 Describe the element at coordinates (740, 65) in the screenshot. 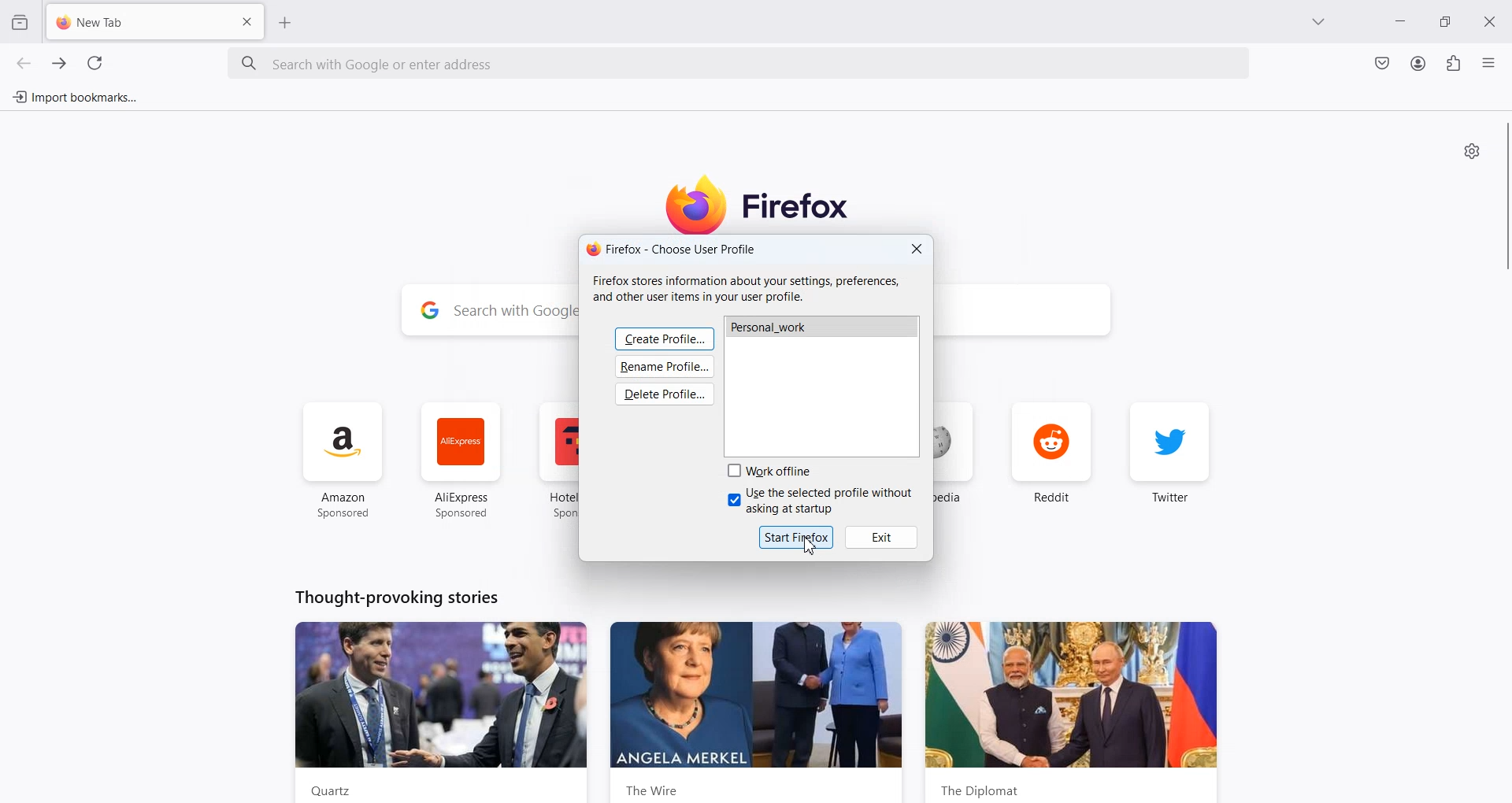

I see `Search bar` at that location.